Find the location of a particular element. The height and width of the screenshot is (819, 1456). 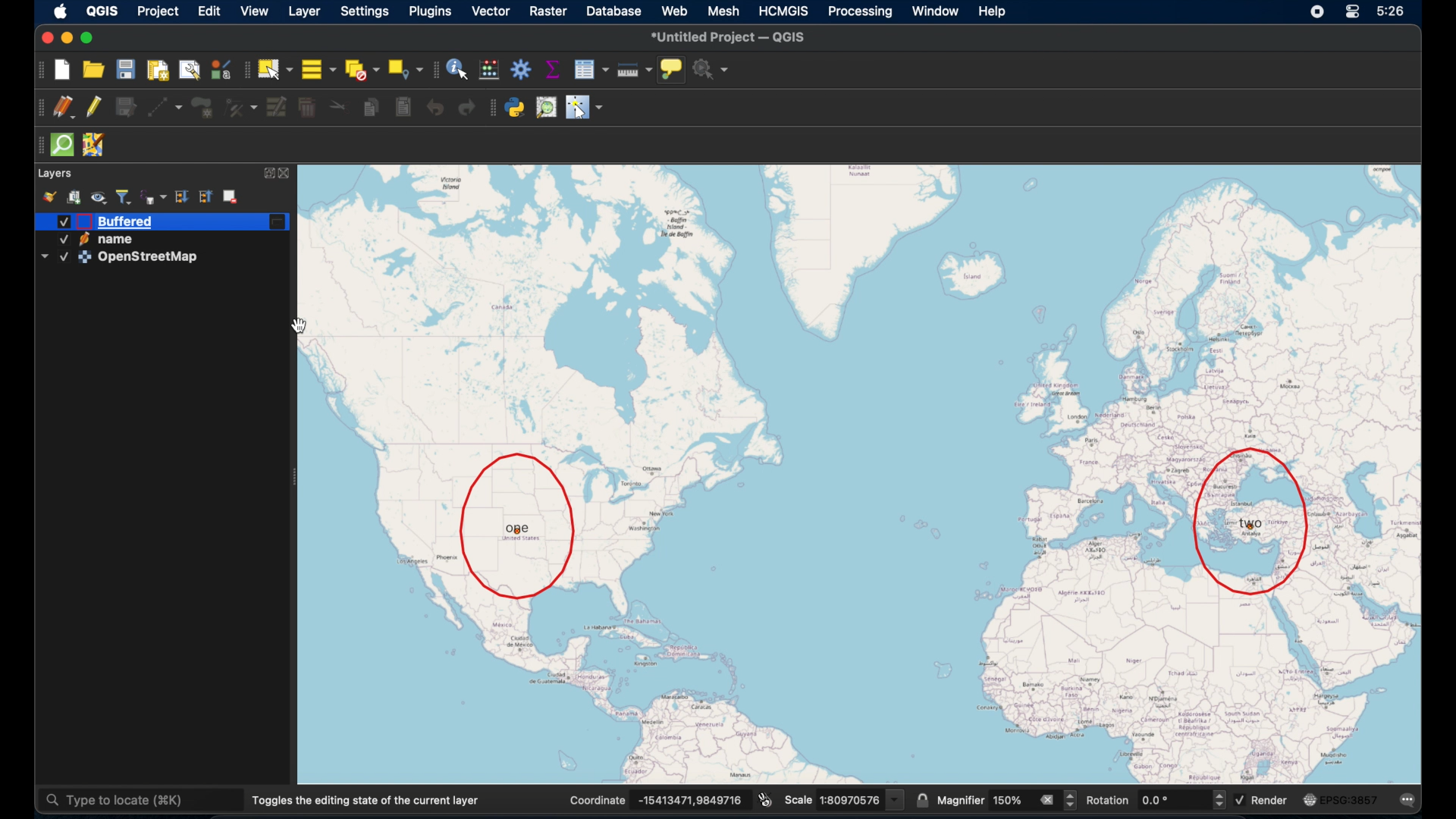

clear all is located at coordinates (1043, 799).